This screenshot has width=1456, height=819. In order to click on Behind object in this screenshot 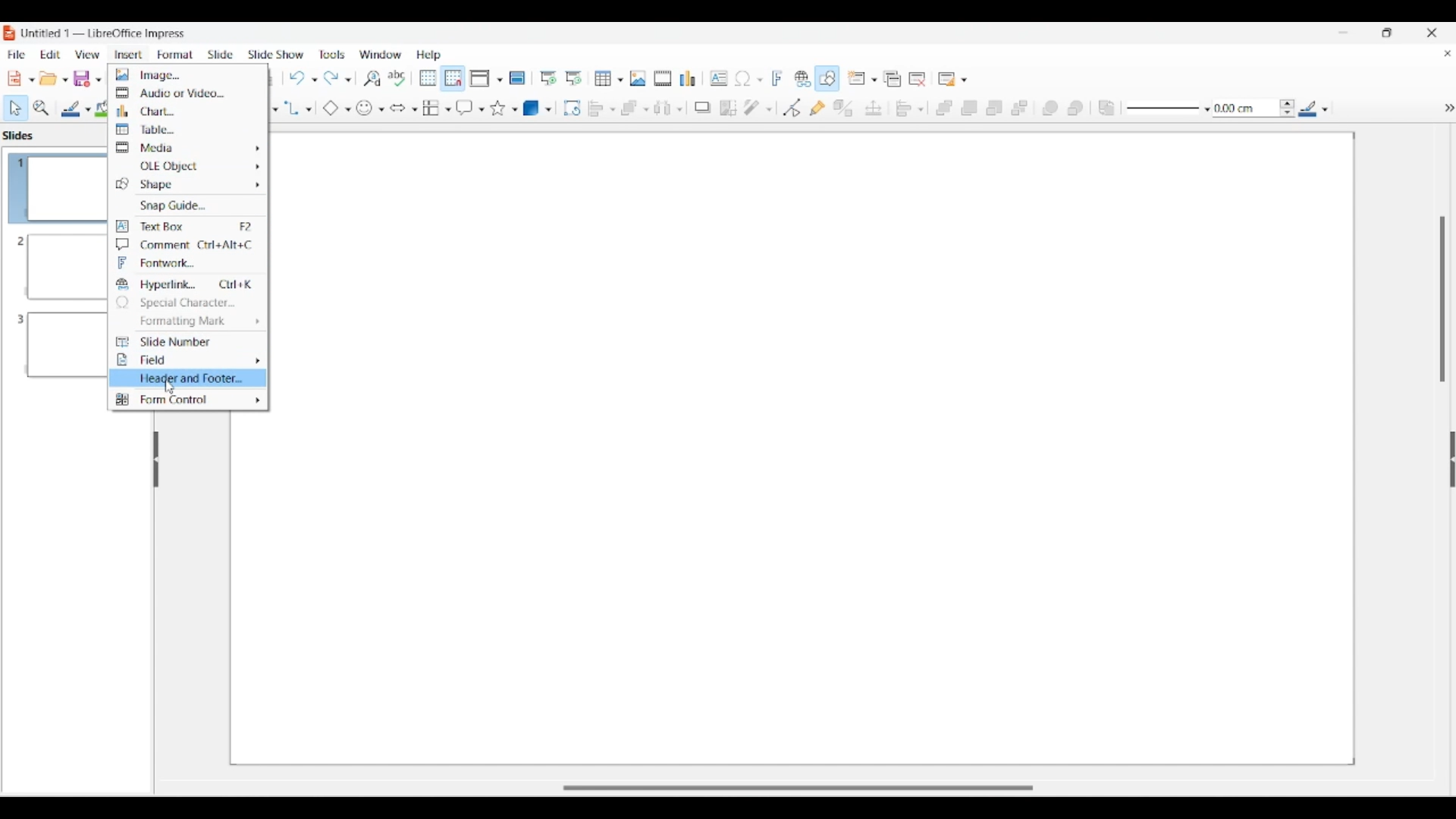, I will do `click(1075, 108)`.